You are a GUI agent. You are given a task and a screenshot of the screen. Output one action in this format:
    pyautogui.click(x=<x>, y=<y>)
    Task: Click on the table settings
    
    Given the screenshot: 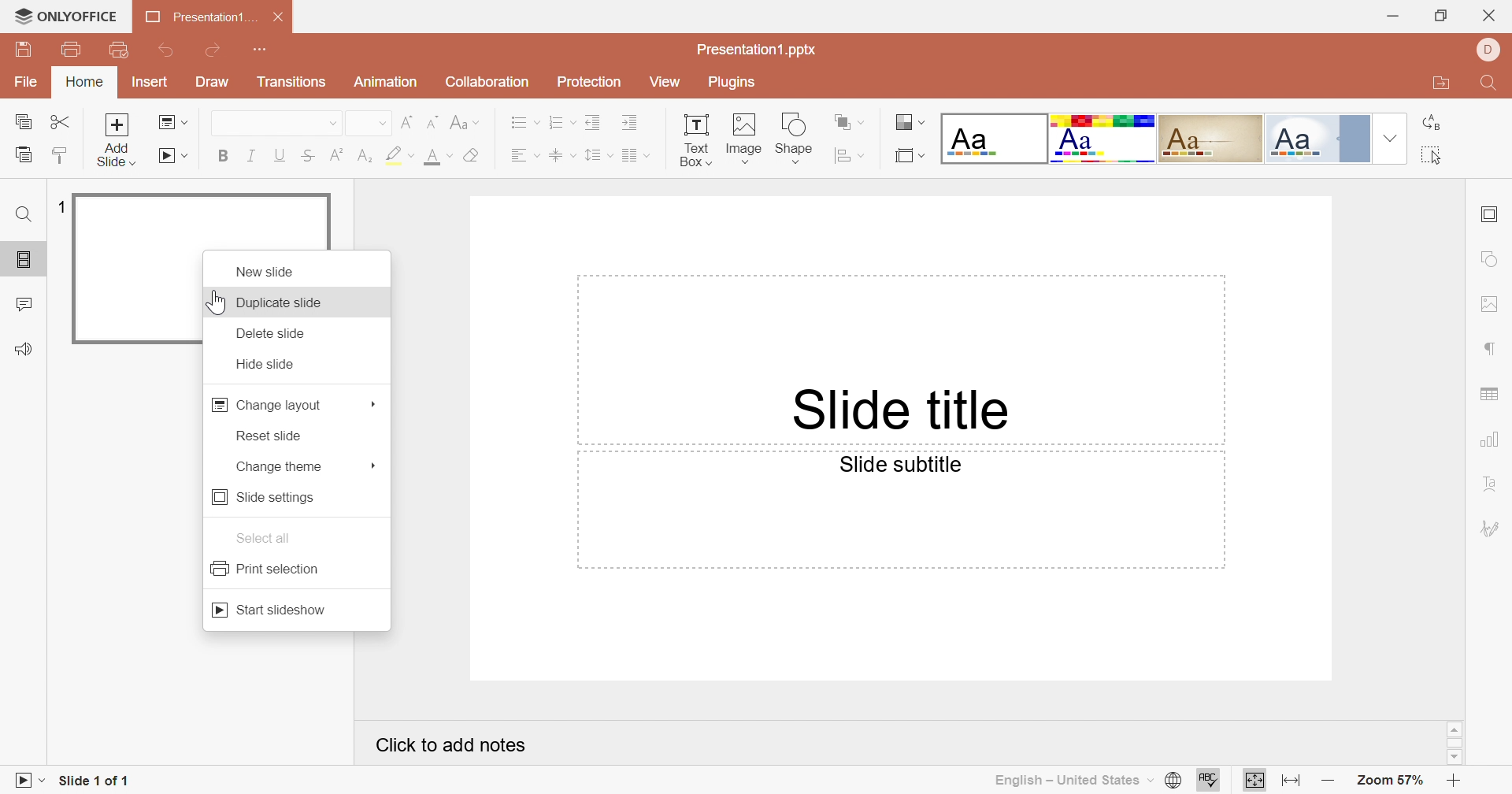 What is the action you would take?
    pyautogui.click(x=1494, y=396)
    